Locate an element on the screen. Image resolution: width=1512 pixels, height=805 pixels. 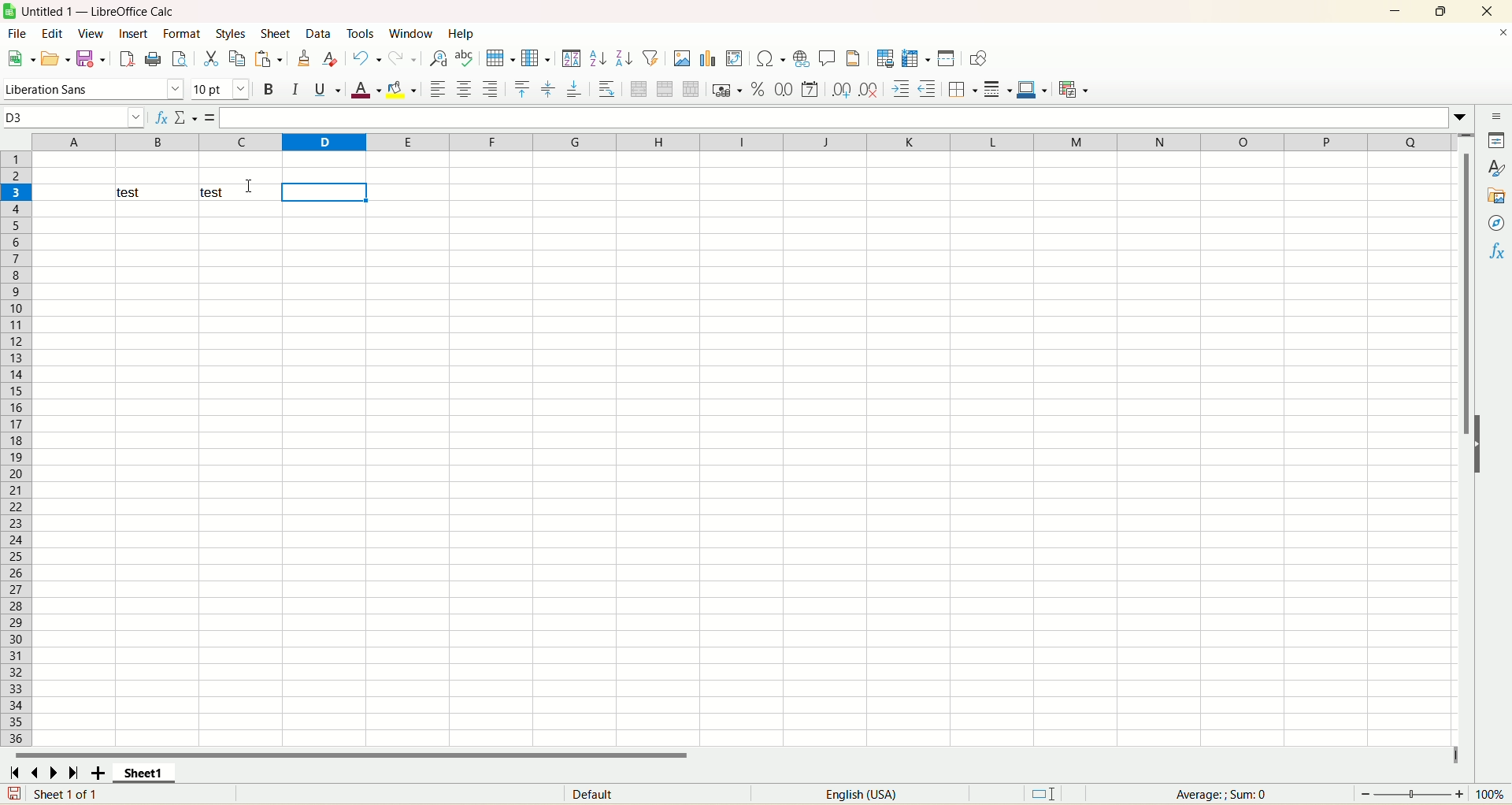
Decrease indent is located at coordinates (928, 89).